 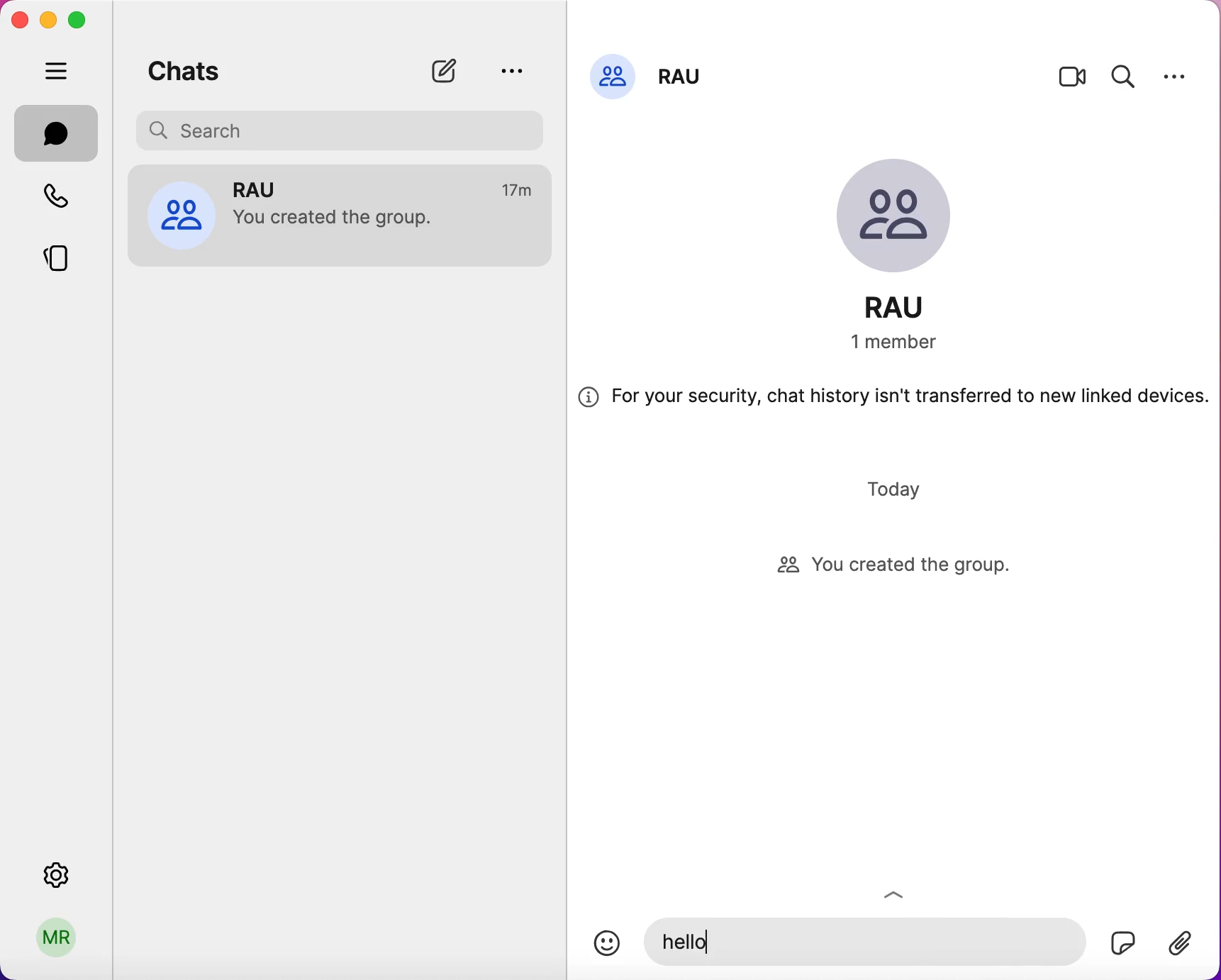 What do you see at coordinates (67, 253) in the screenshot?
I see `stories` at bounding box center [67, 253].